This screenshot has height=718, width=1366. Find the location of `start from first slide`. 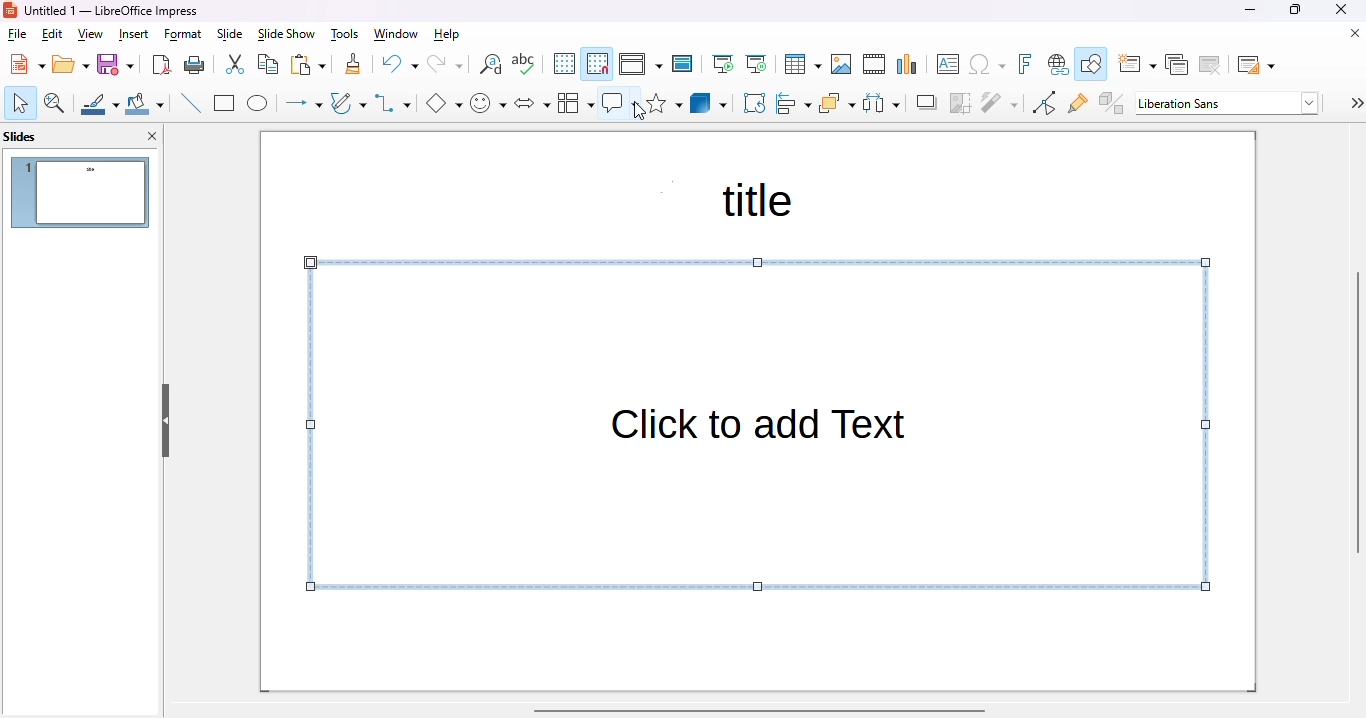

start from first slide is located at coordinates (725, 64).